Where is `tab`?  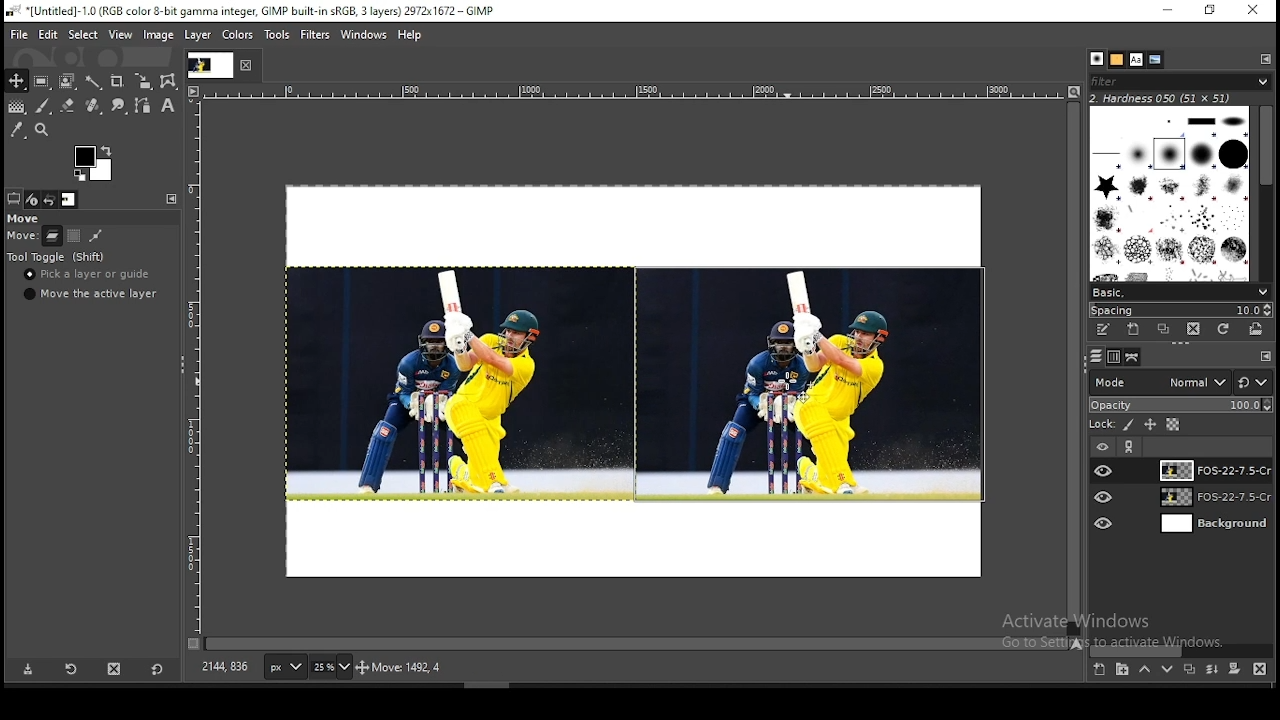
tab is located at coordinates (209, 65).